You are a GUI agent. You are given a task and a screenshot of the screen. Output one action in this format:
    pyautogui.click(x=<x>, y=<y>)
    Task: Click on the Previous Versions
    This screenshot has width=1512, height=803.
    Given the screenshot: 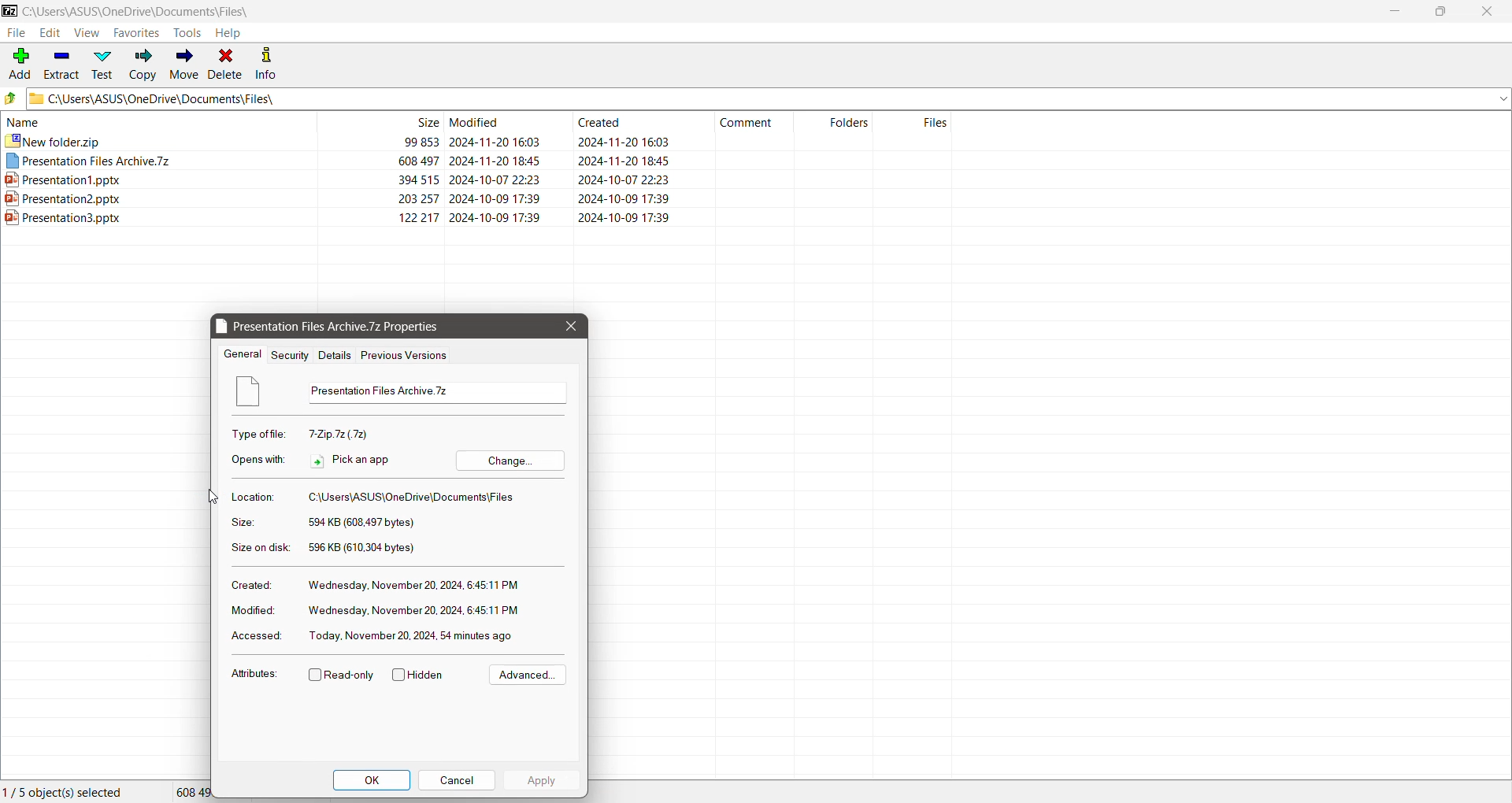 What is the action you would take?
    pyautogui.click(x=406, y=356)
    